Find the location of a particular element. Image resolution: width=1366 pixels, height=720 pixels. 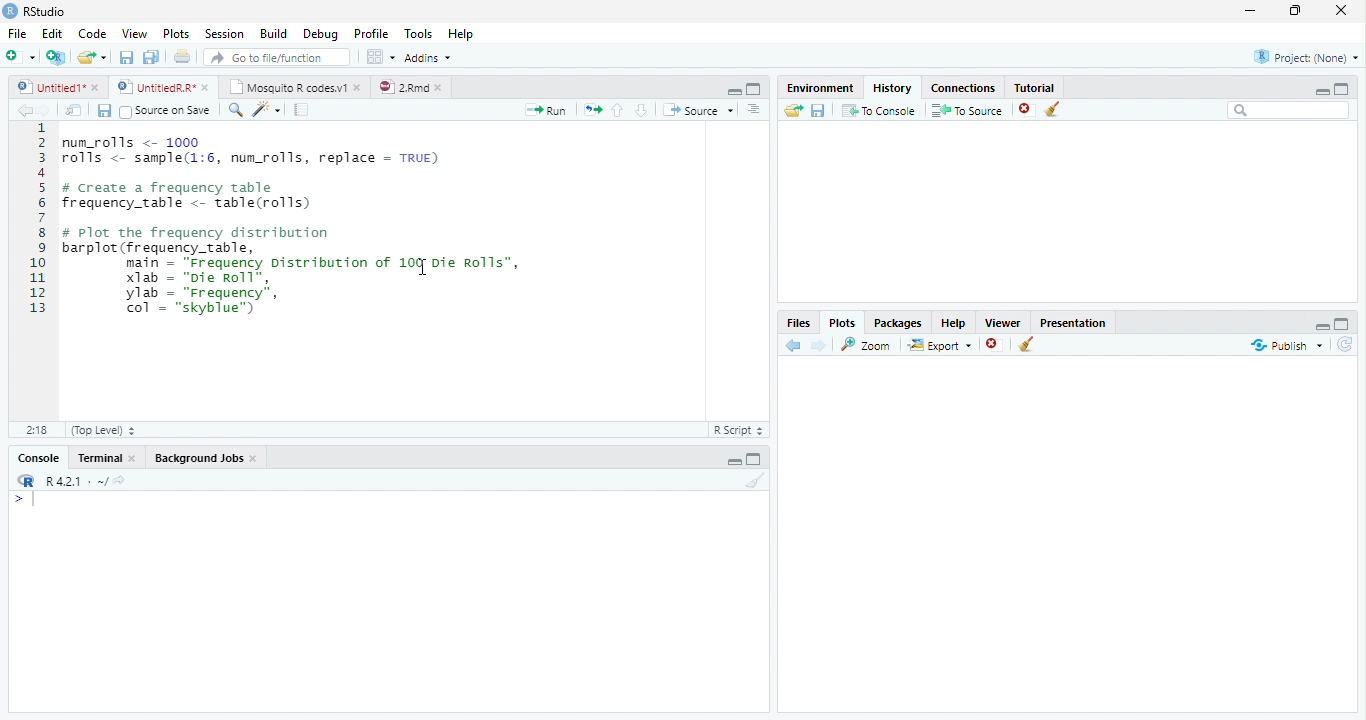

Maximize is located at coordinates (1296, 11).